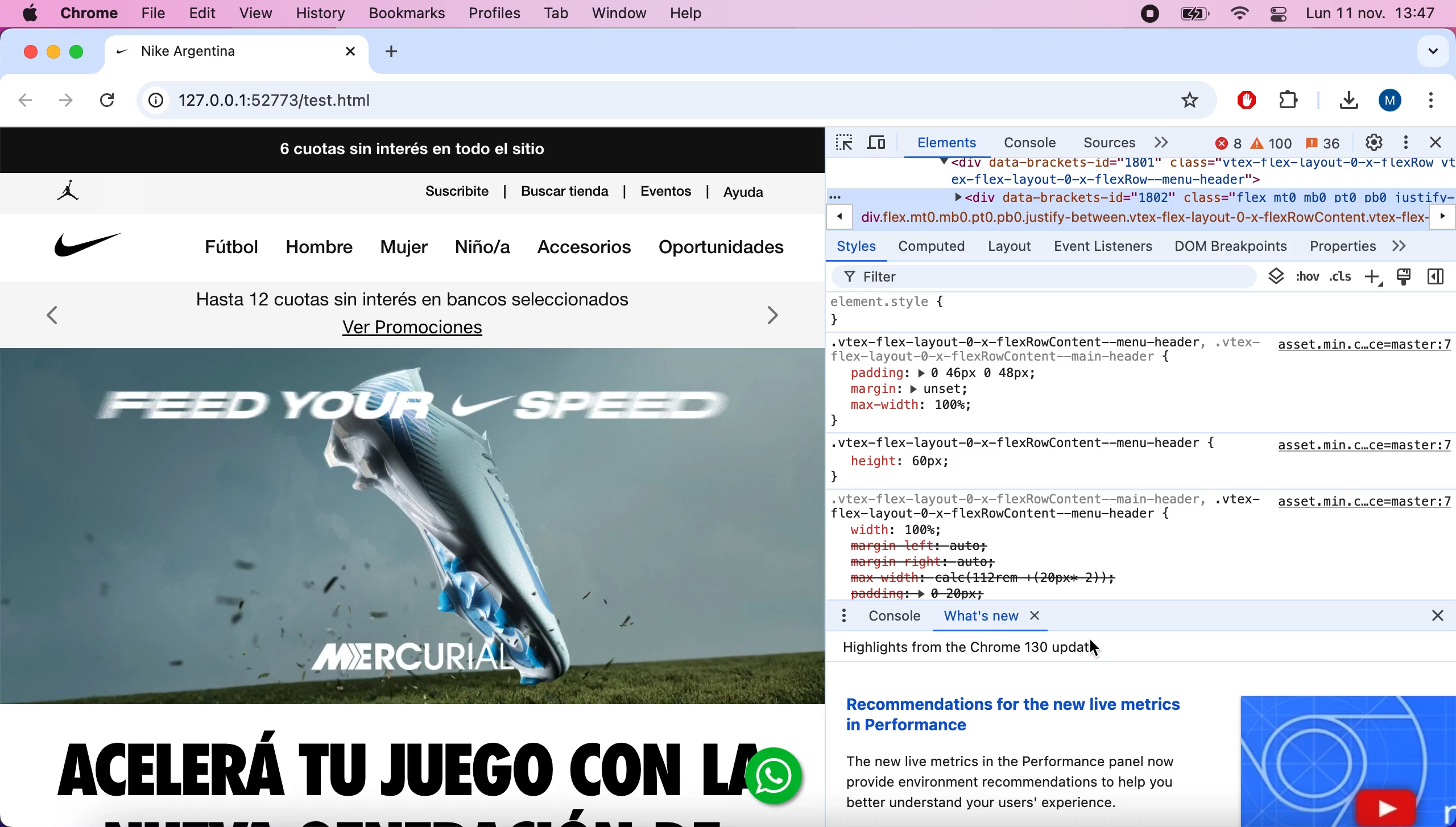  Describe the element at coordinates (55, 53) in the screenshot. I see `minimize` at that location.